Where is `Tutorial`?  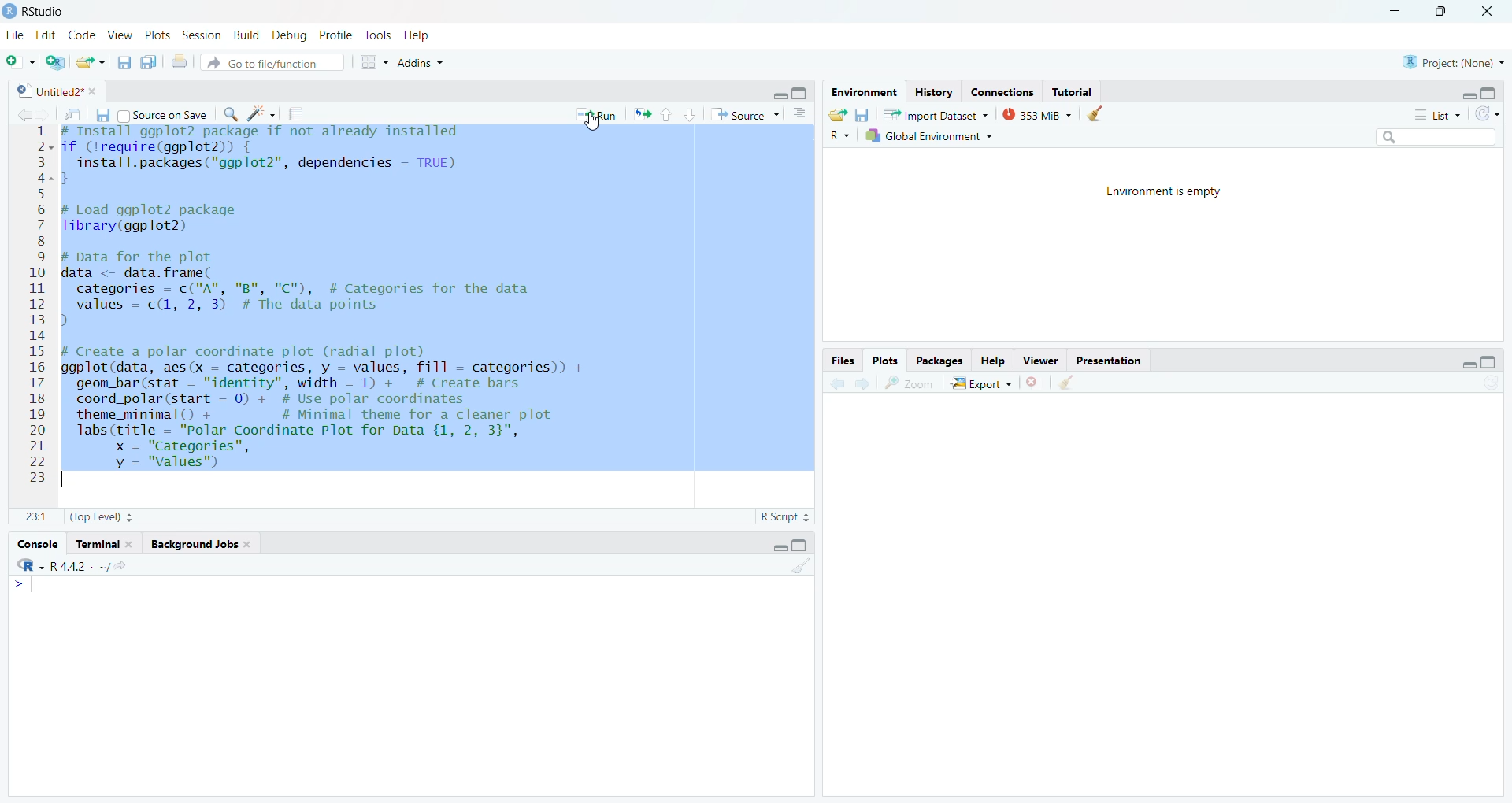 Tutorial is located at coordinates (1071, 91).